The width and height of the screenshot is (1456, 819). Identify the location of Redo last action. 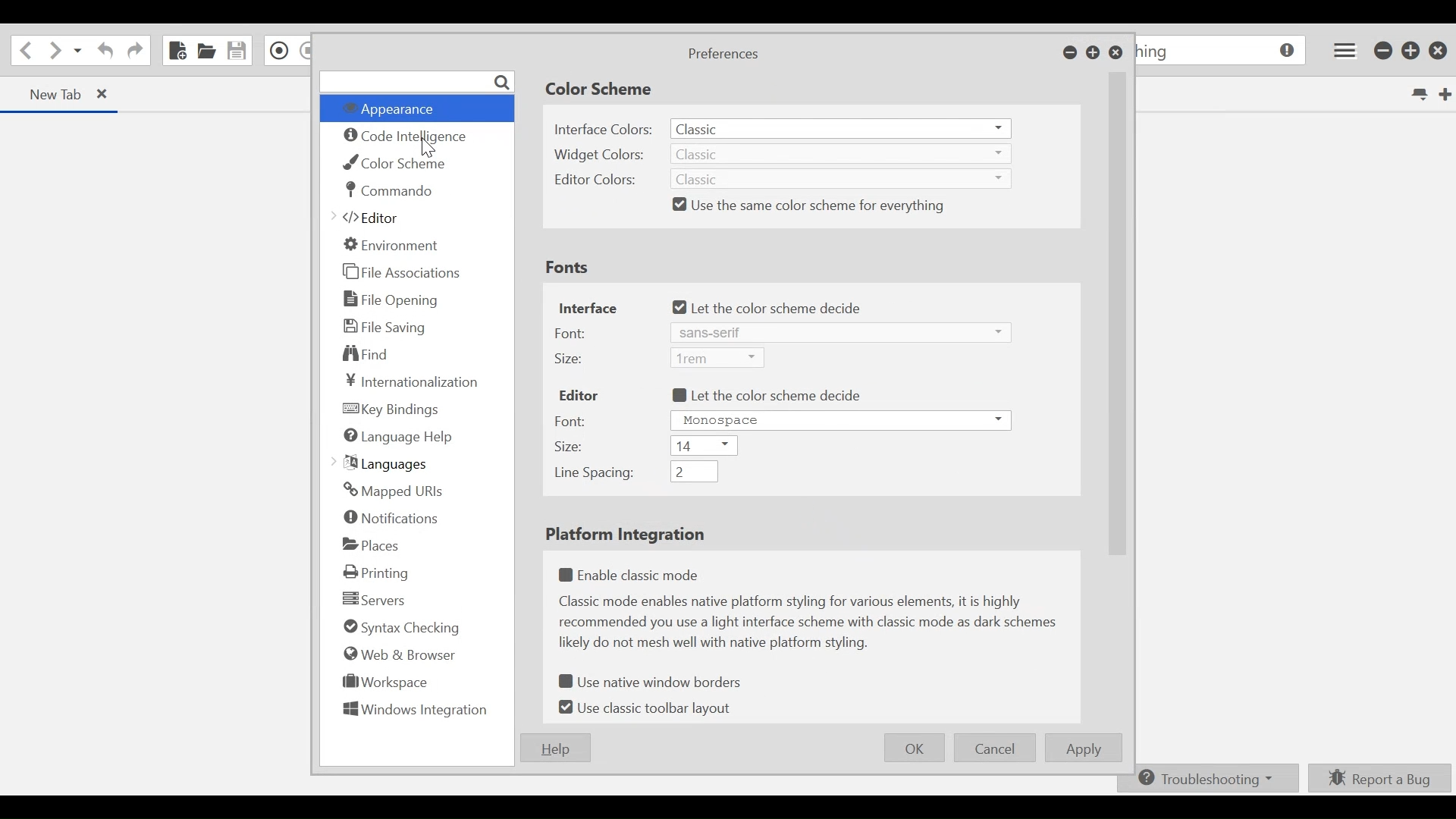
(135, 52).